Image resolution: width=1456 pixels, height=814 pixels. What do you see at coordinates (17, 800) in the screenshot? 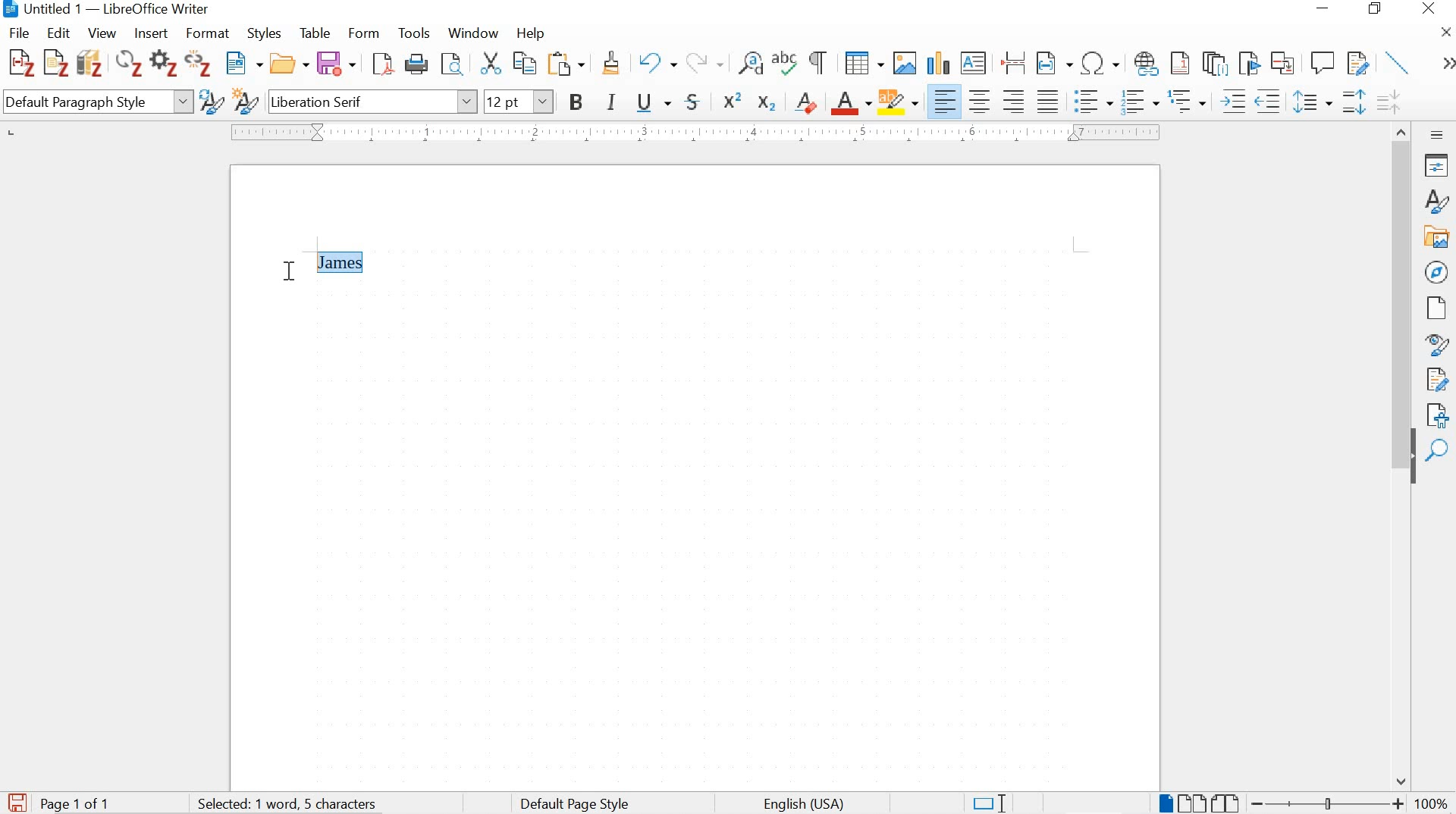
I see `save` at bounding box center [17, 800].